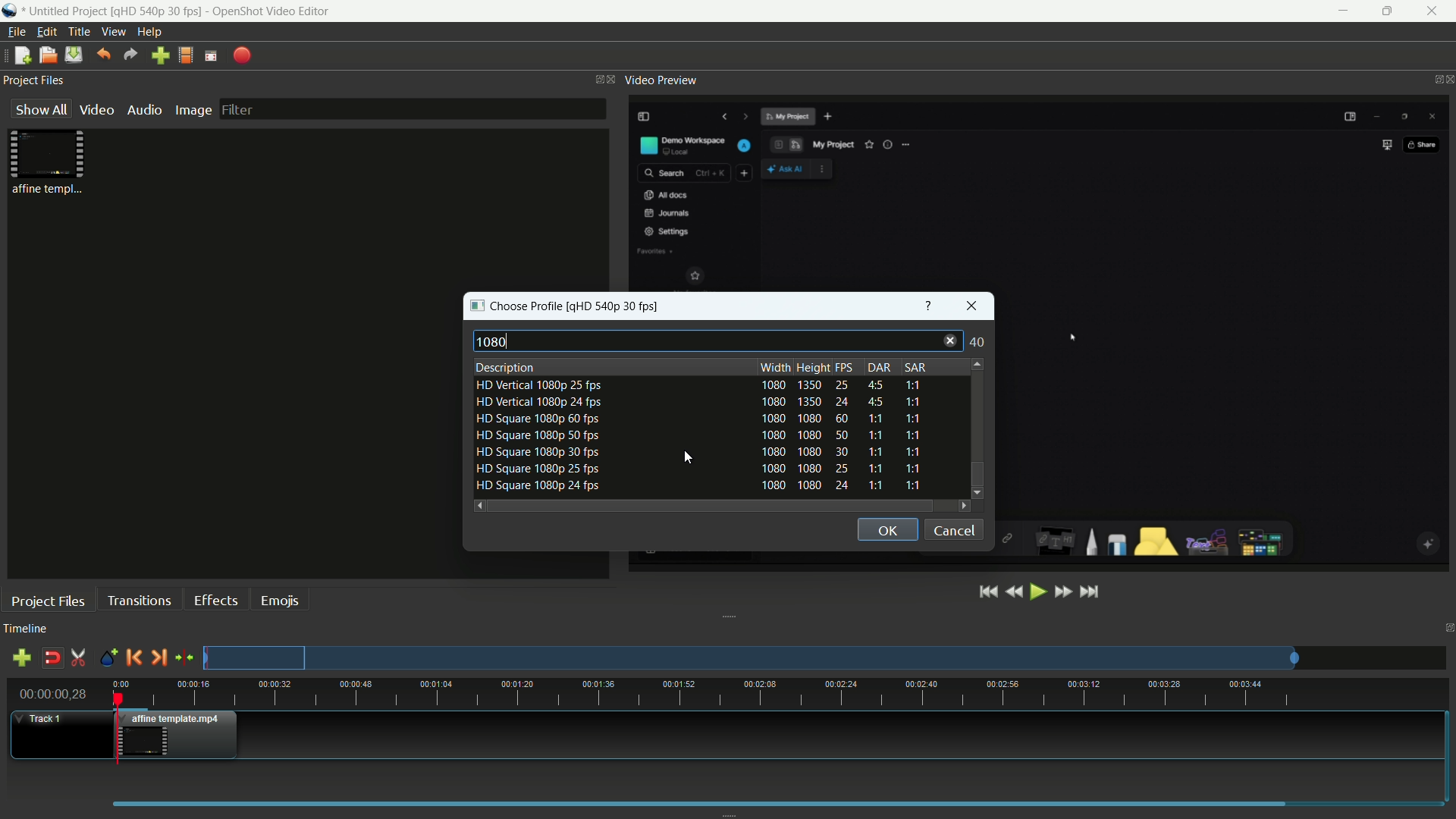  What do you see at coordinates (66, 11) in the screenshot?
I see `project name` at bounding box center [66, 11].